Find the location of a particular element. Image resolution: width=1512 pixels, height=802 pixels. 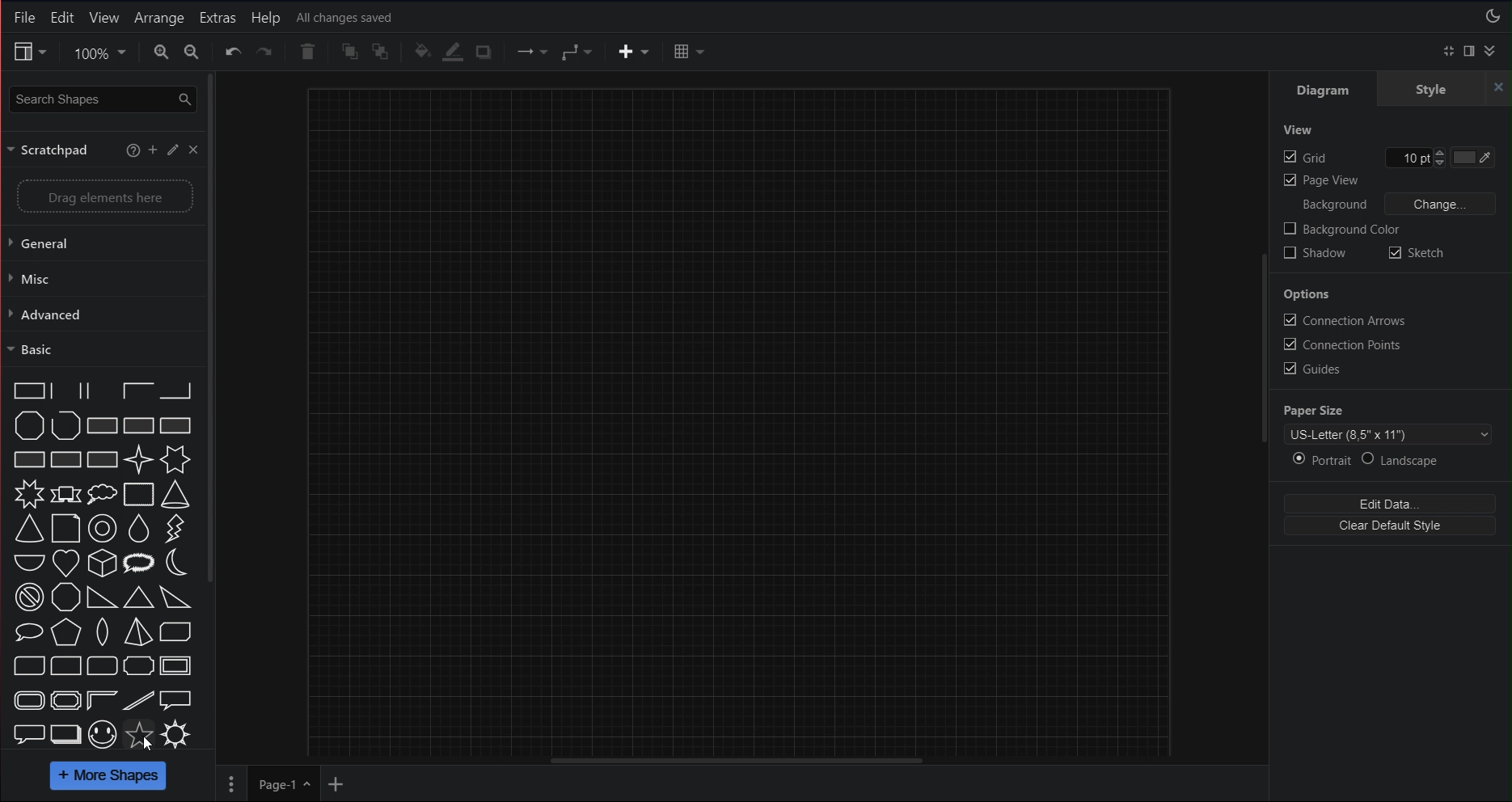

4 point star is located at coordinates (139, 459).